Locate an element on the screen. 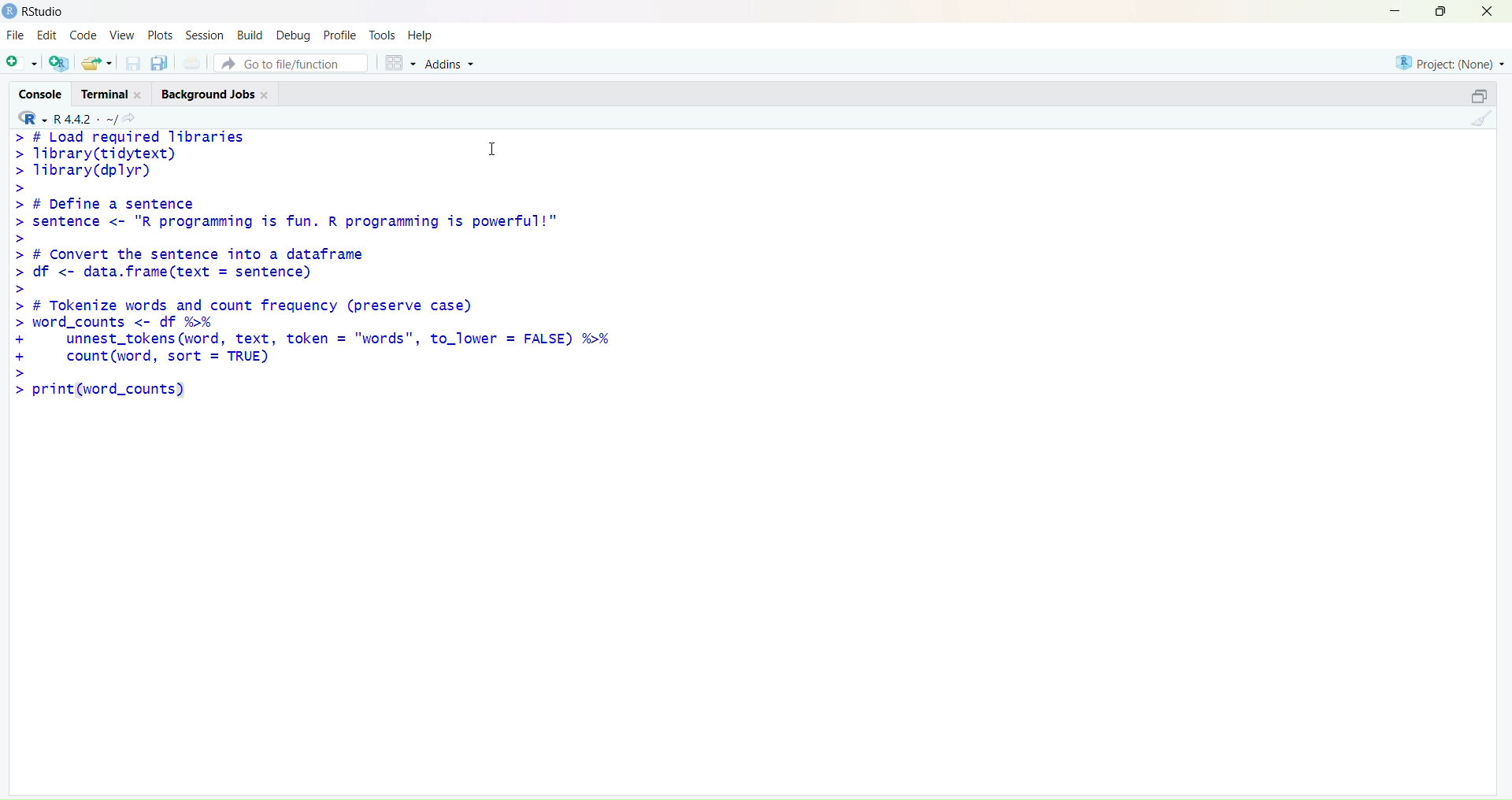 Image resolution: width=1512 pixels, height=800 pixels. profile is located at coordinates (339, 36).